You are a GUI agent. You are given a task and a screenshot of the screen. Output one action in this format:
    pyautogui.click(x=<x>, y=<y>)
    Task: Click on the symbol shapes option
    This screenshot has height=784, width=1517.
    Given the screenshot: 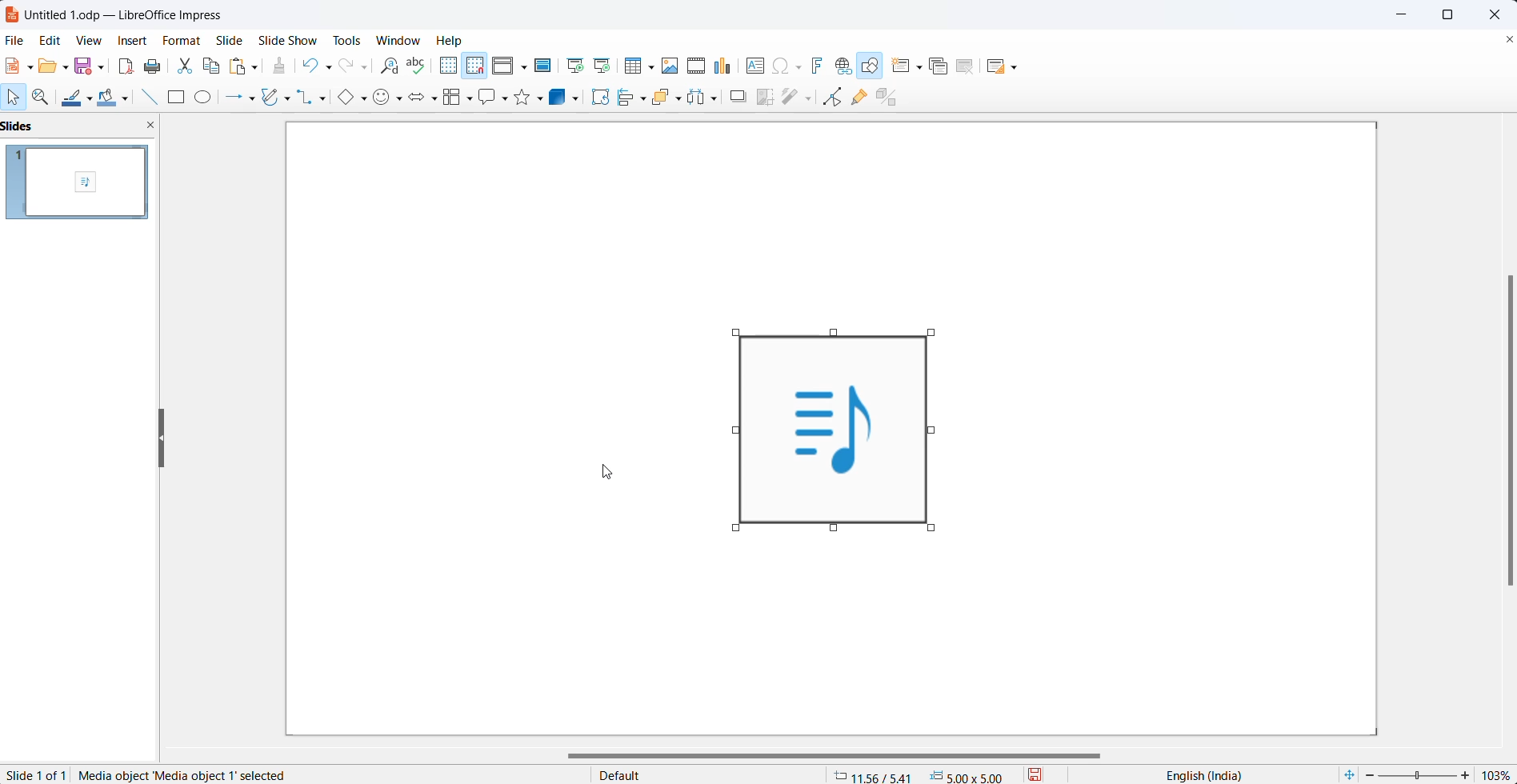 What is the action you would take?
    pyautogui.click(x=401, y=99)
    